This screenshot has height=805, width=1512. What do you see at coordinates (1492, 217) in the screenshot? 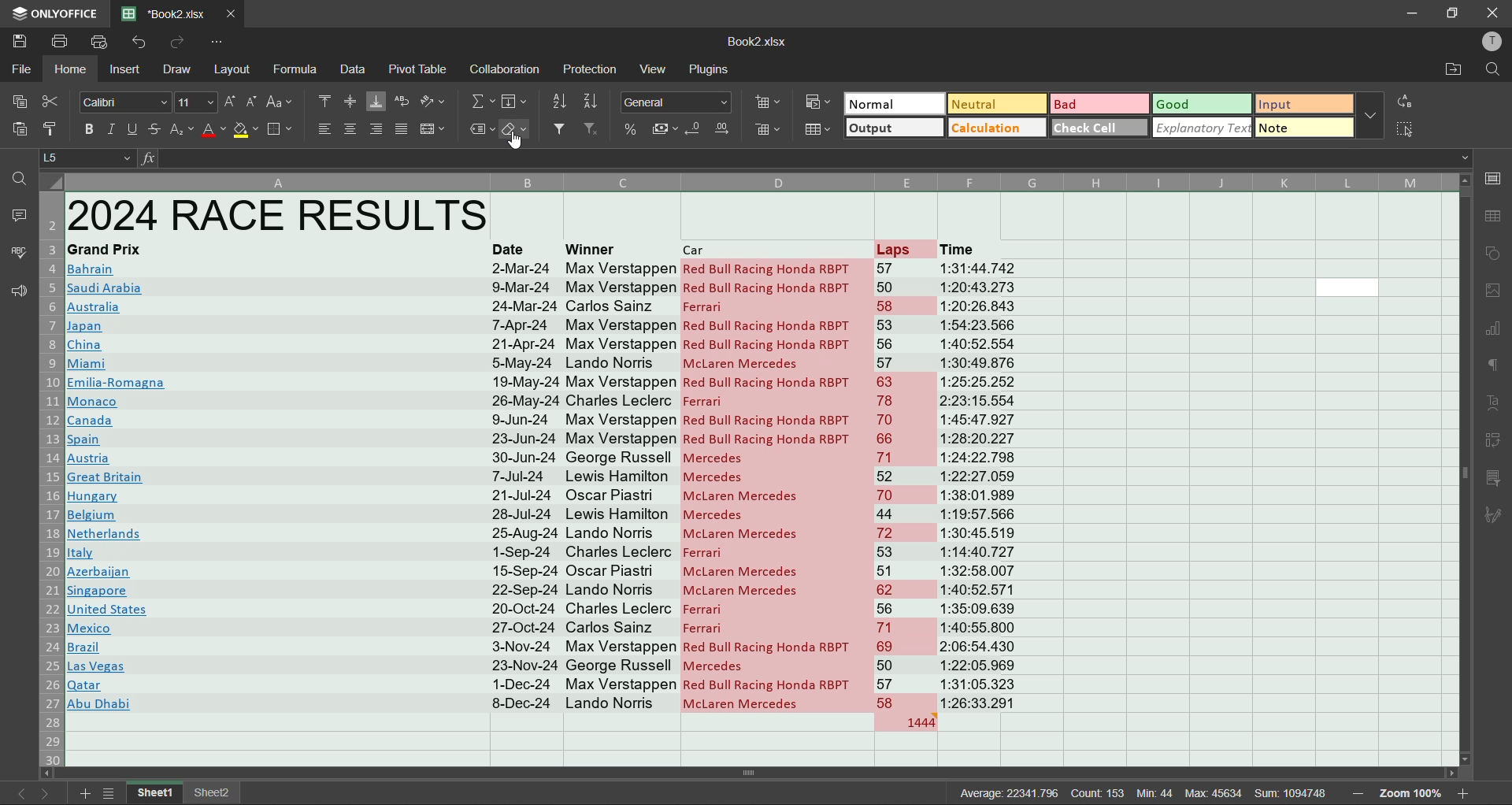
I see `table` at bounding box center [1492, 217].